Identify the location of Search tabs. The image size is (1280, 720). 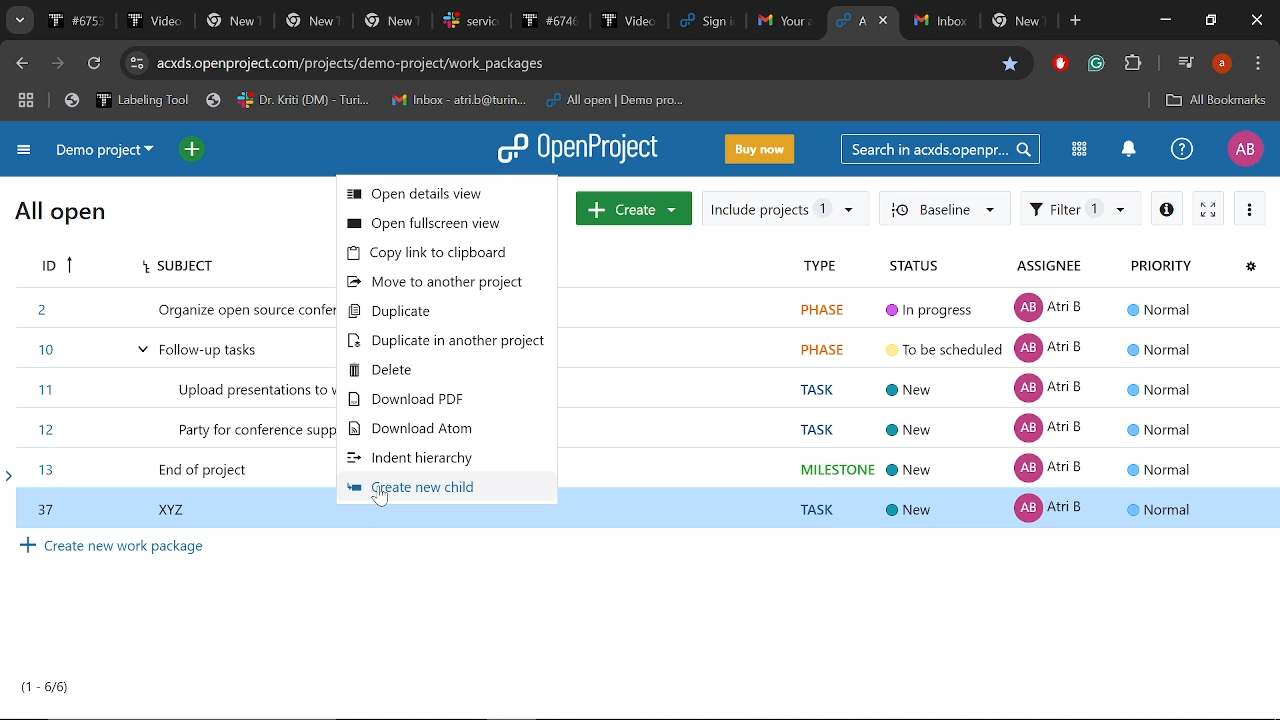
(850, 20).